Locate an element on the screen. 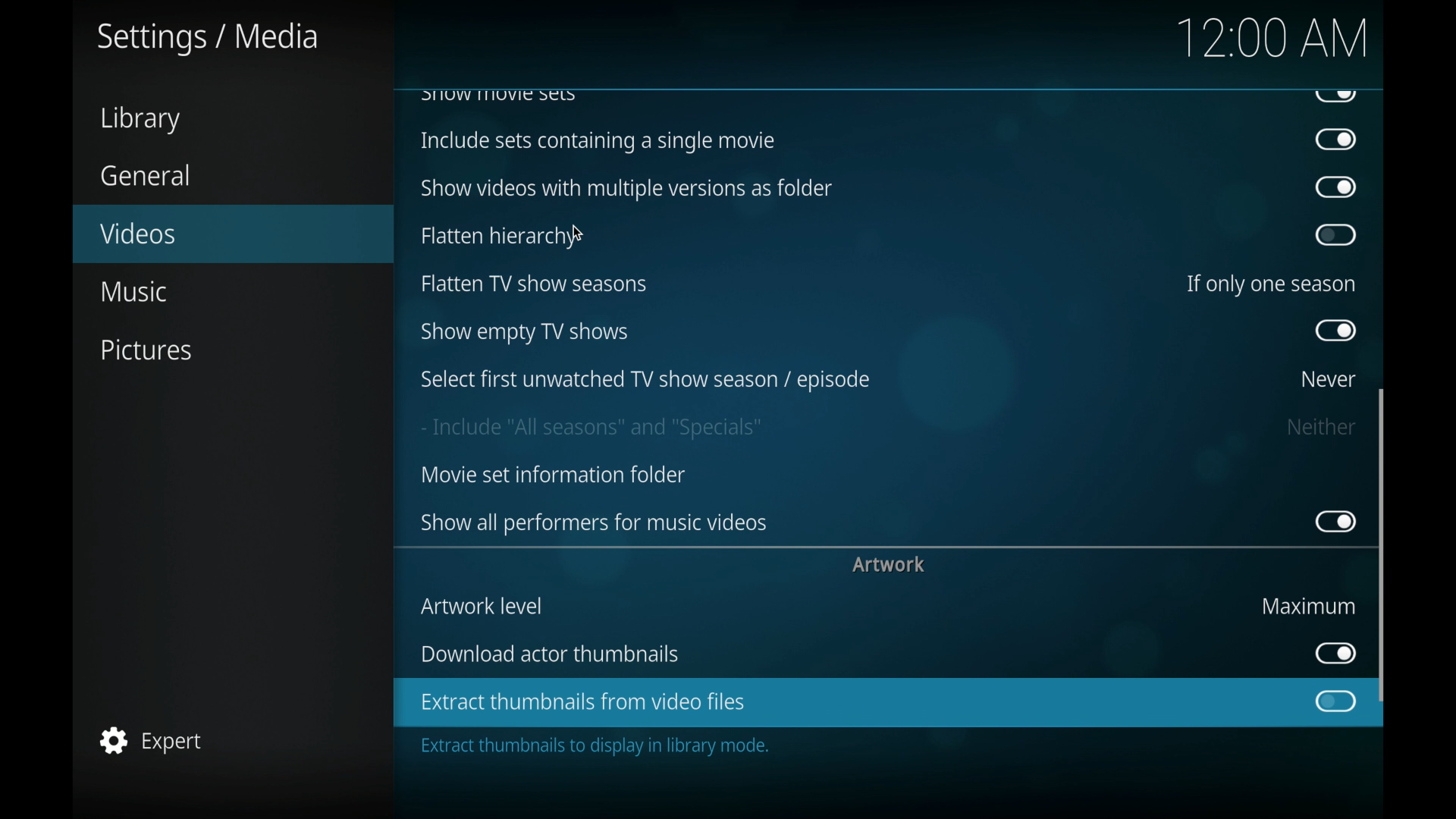 The width and height of the screenshot is (1456, 819). toggle button is located at coordinates (1337, 189).